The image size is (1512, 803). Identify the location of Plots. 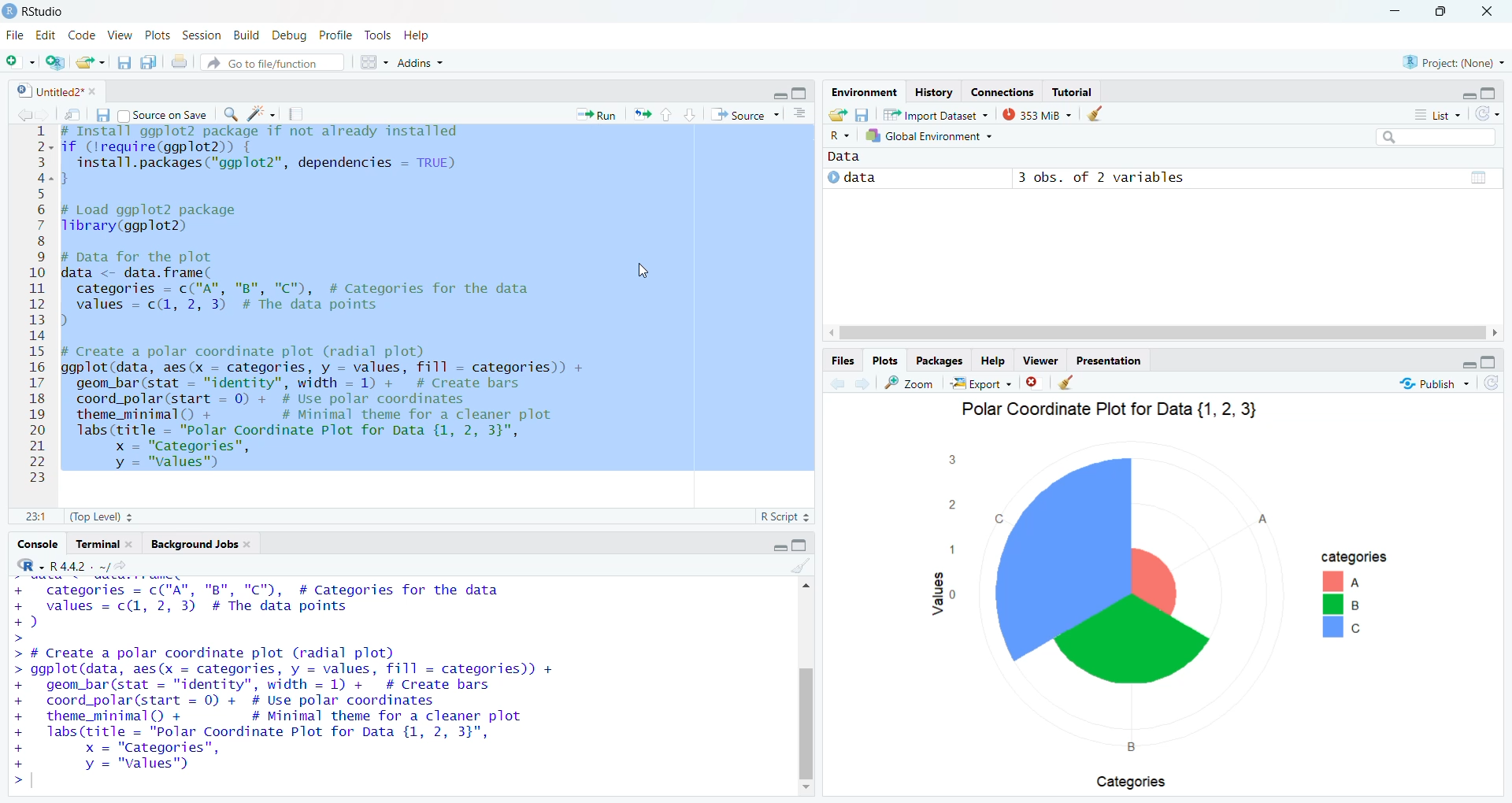
(156, 35).